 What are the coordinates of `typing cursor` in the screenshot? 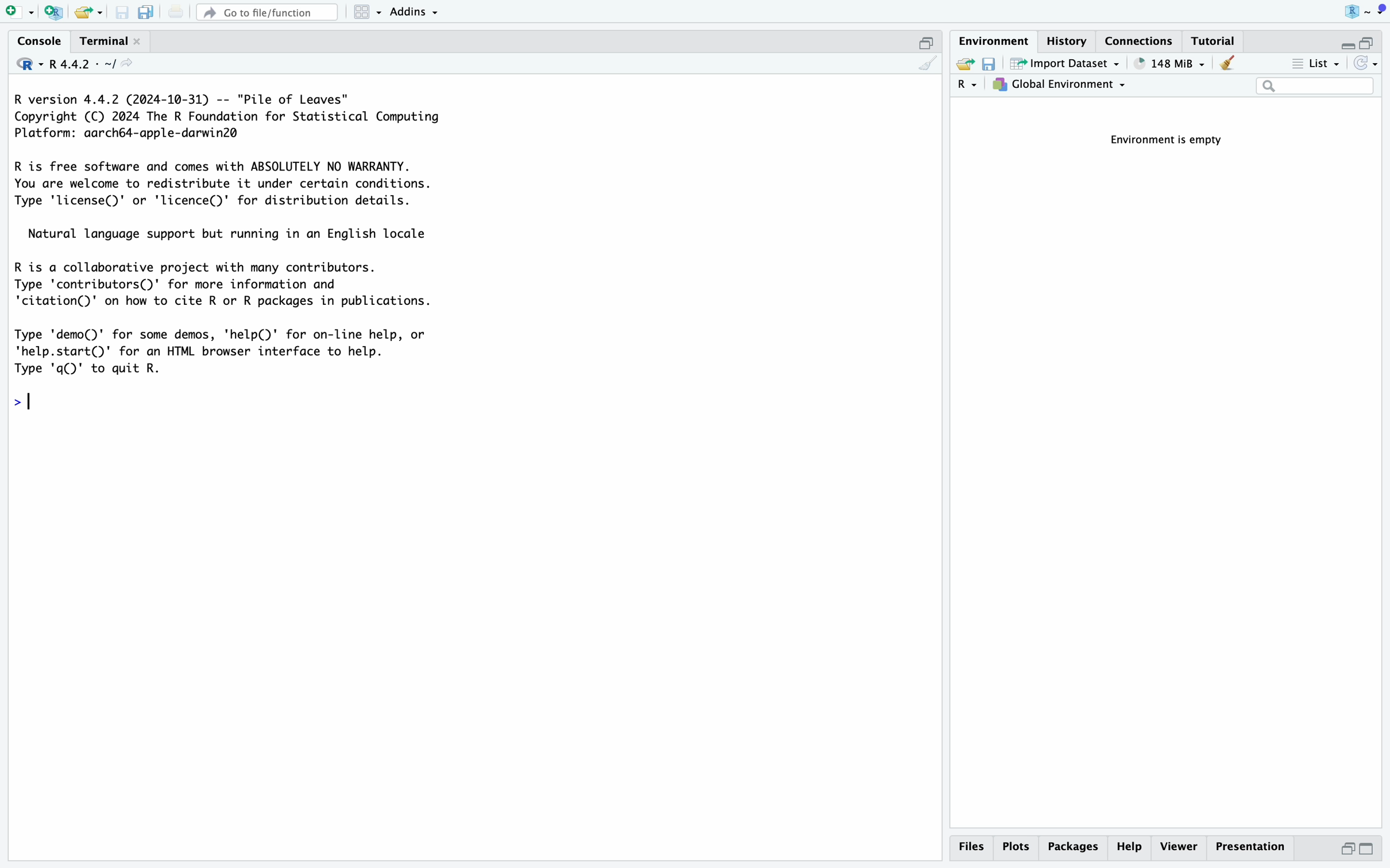 It's located at (34, 400).